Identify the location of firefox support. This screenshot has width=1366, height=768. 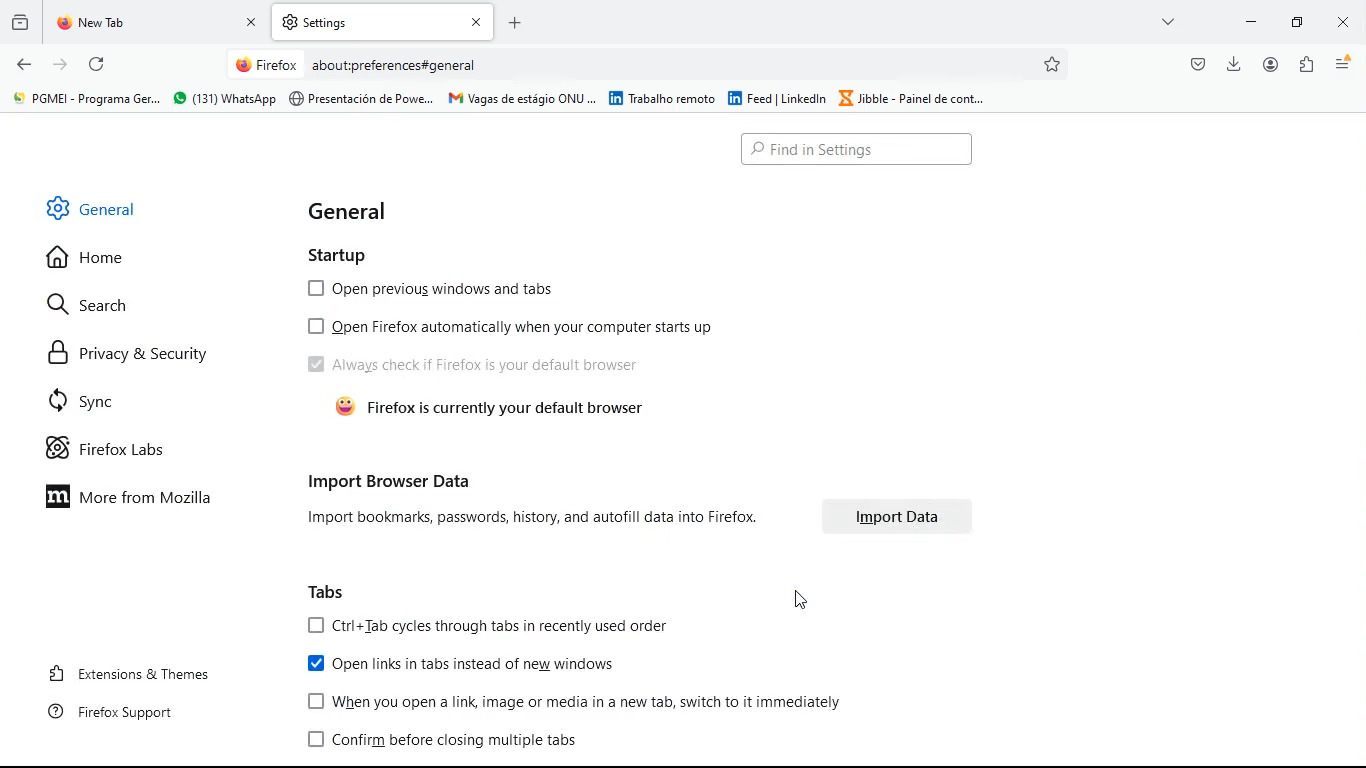
(122, 711).